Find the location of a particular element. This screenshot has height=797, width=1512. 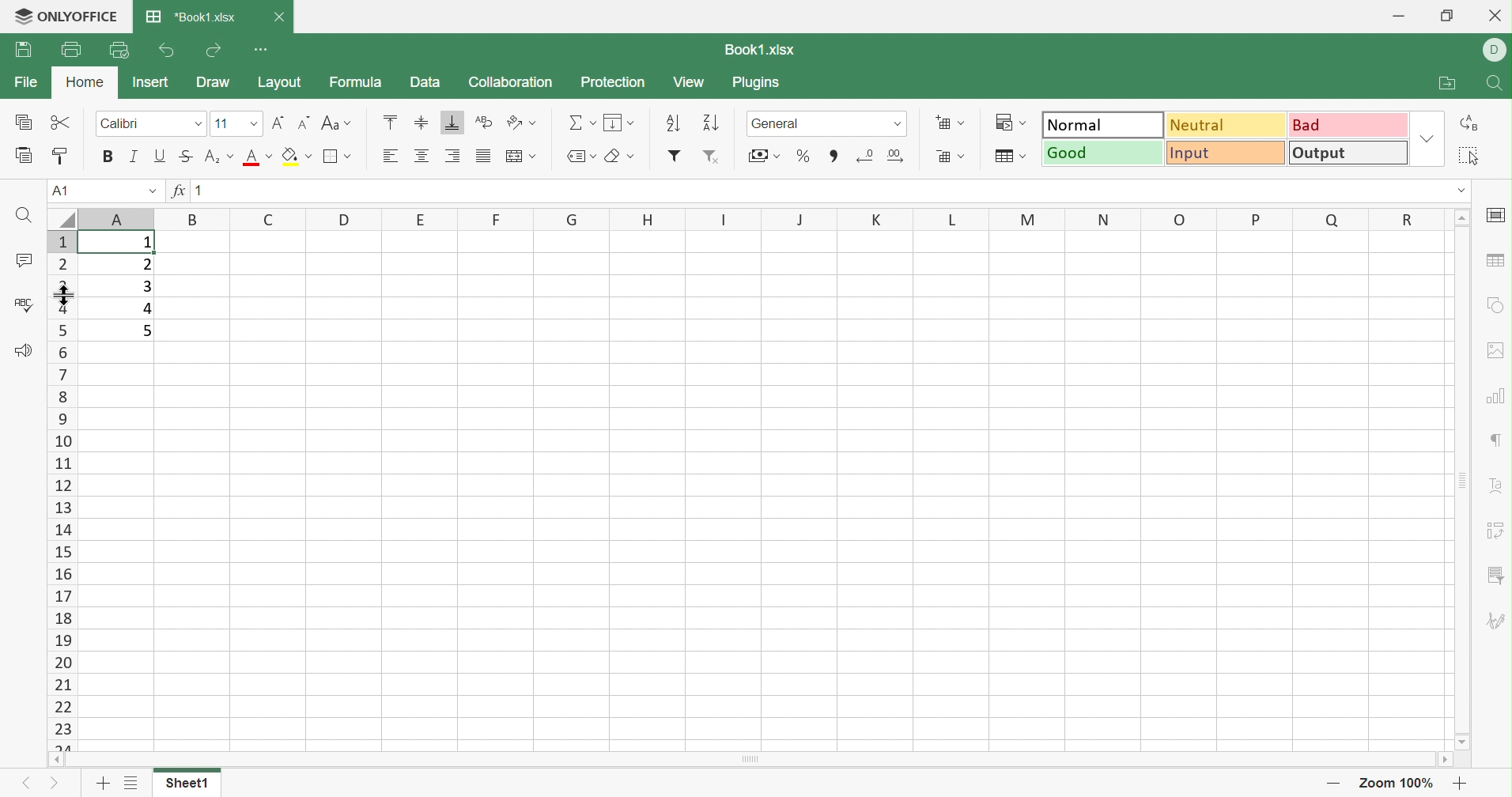

Drop Down is located at coordinates (153, 191).